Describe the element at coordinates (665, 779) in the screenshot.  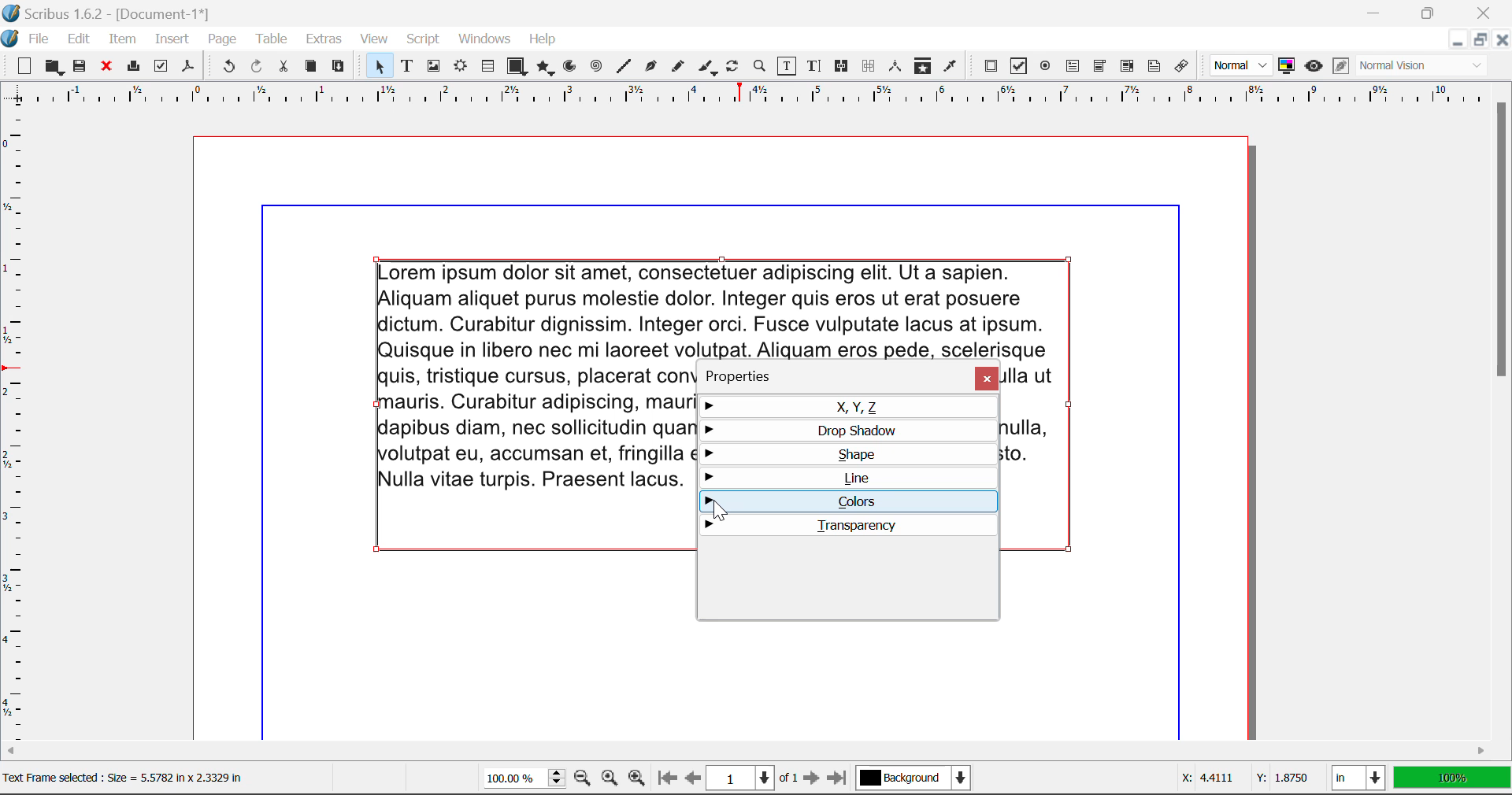
I see `First Page` at that location.